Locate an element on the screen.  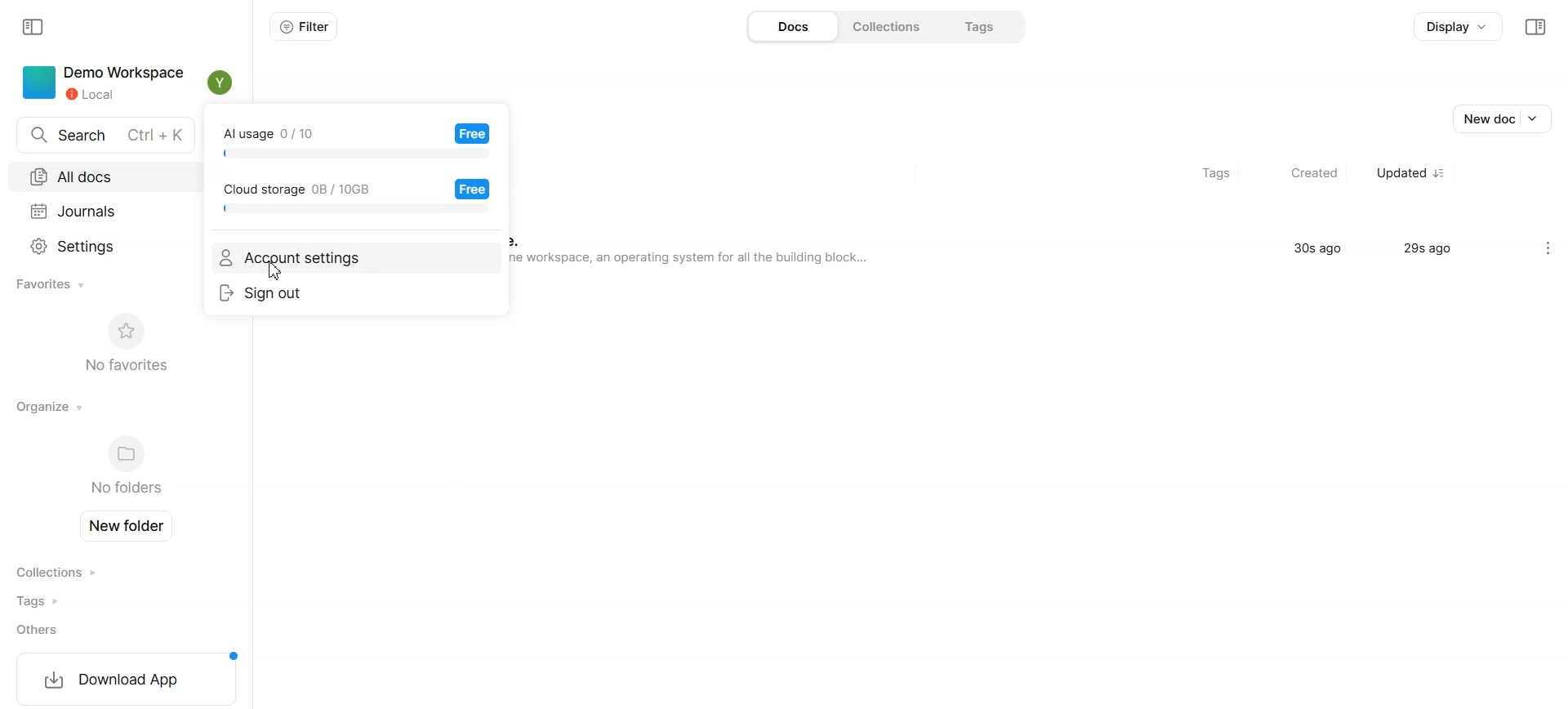
Favorites is located at coordinates (53, 285).